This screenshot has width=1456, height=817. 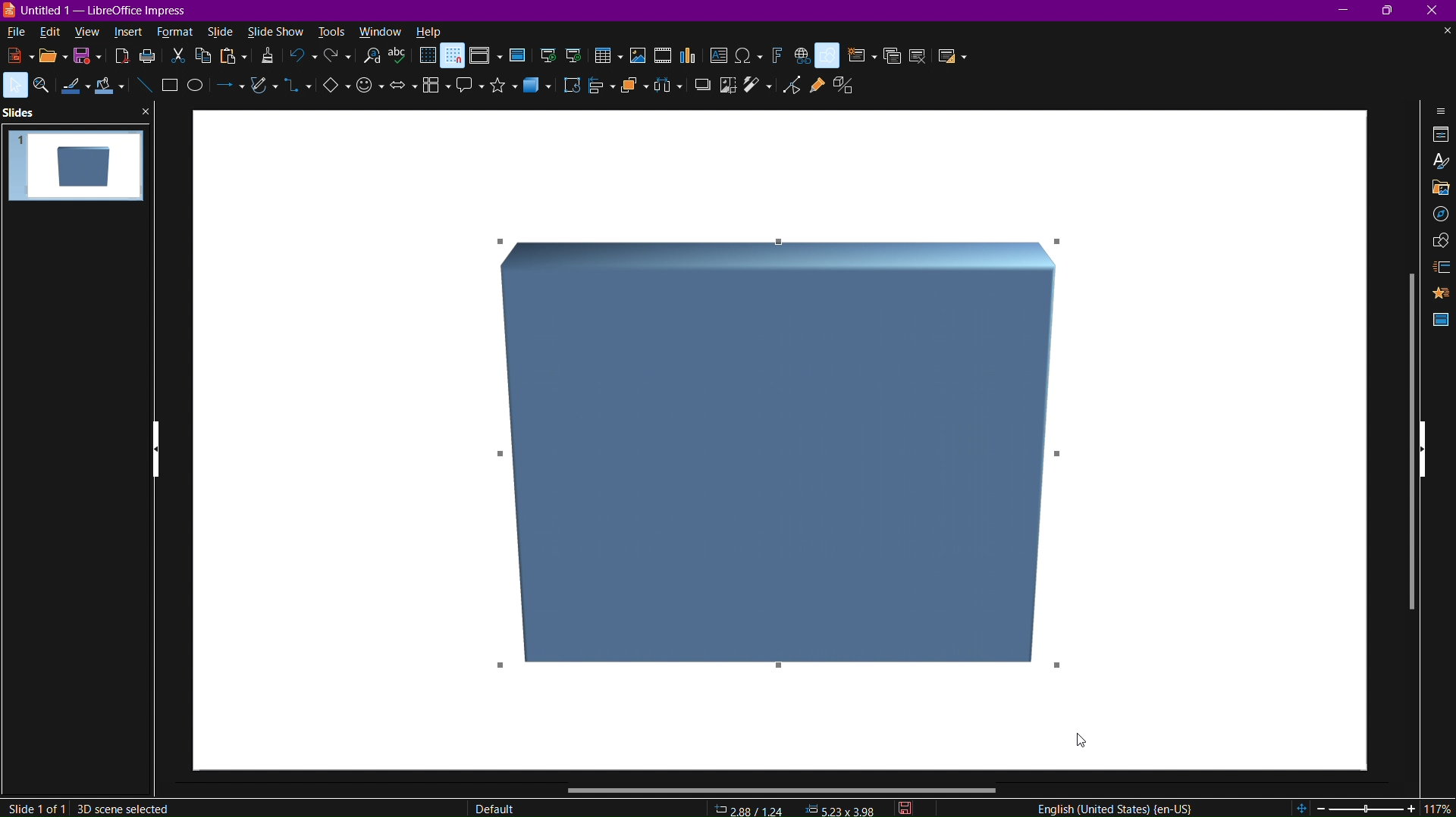 What do you see at coordinates (453, 57) in the screenshot?
I see `Snap to Grid` at bounding box center [453, 57].